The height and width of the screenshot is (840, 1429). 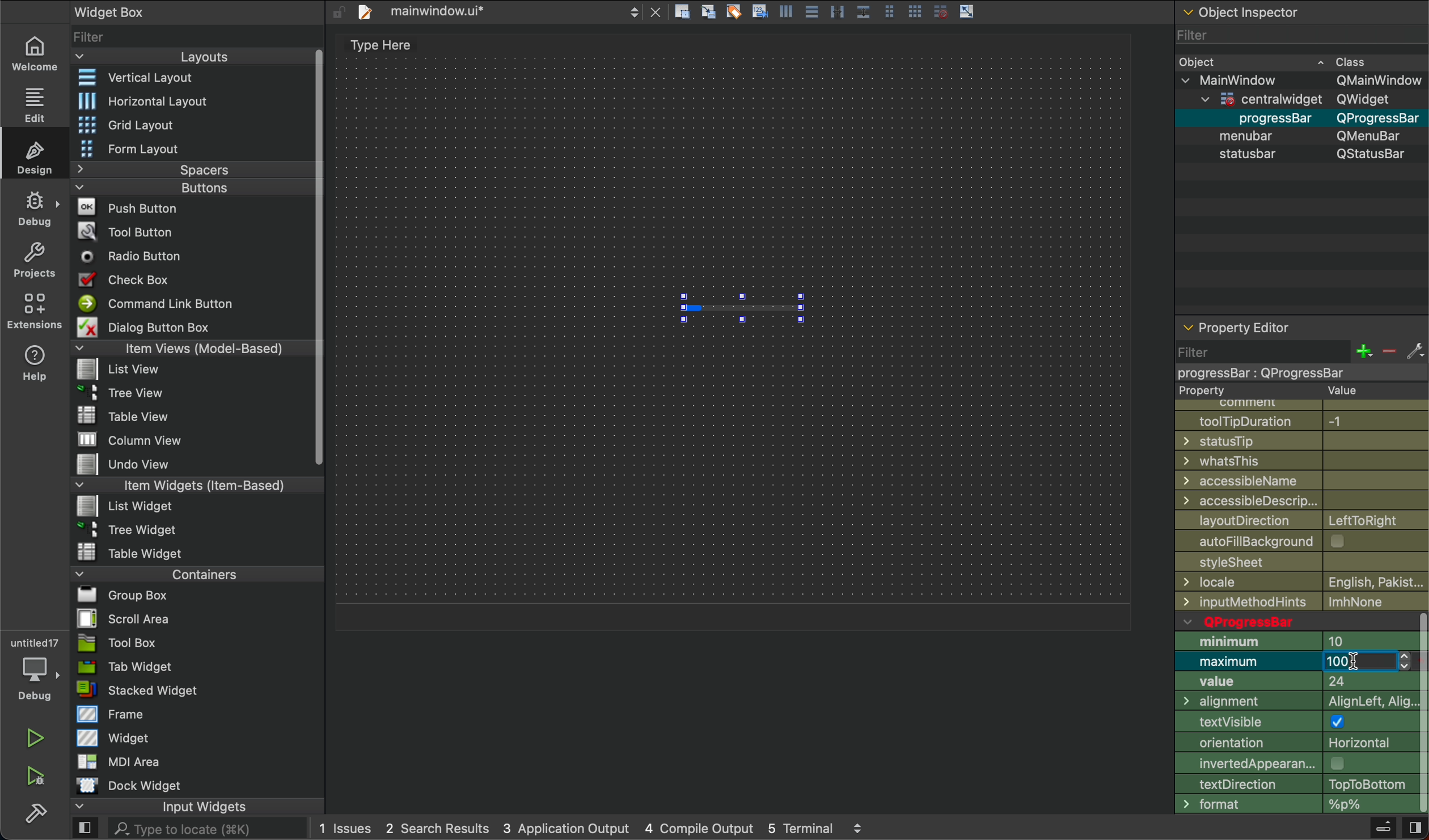 I want to click on file tab, so click(x=508, y=13).